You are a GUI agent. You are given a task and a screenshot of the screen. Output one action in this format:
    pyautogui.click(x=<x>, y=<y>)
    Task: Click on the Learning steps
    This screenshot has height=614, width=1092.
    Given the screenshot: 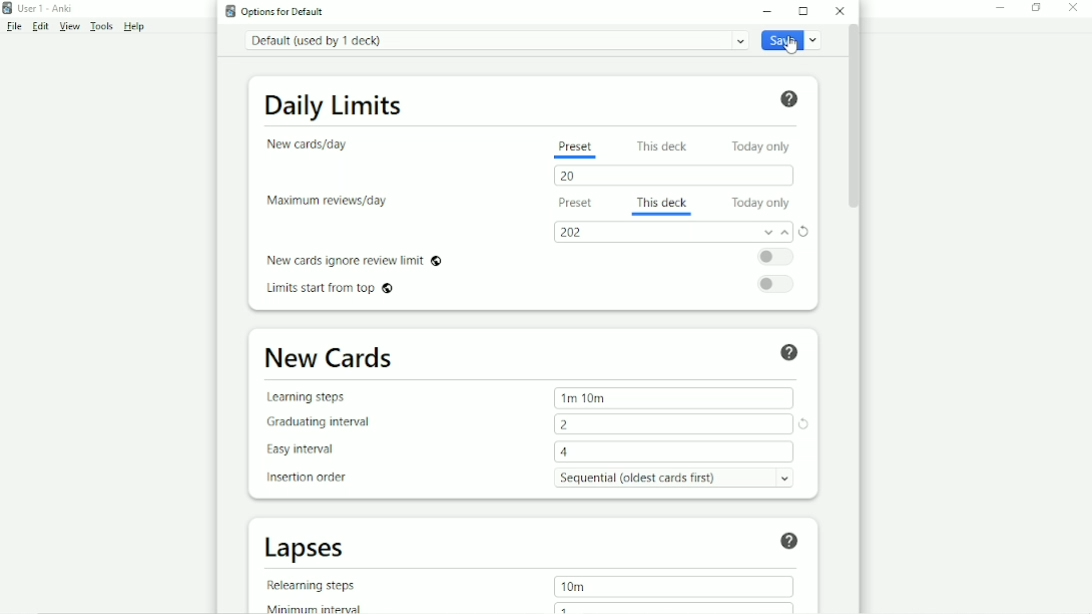 What is the action you would take?
    pyautogui.click(x=312, y=397)
    